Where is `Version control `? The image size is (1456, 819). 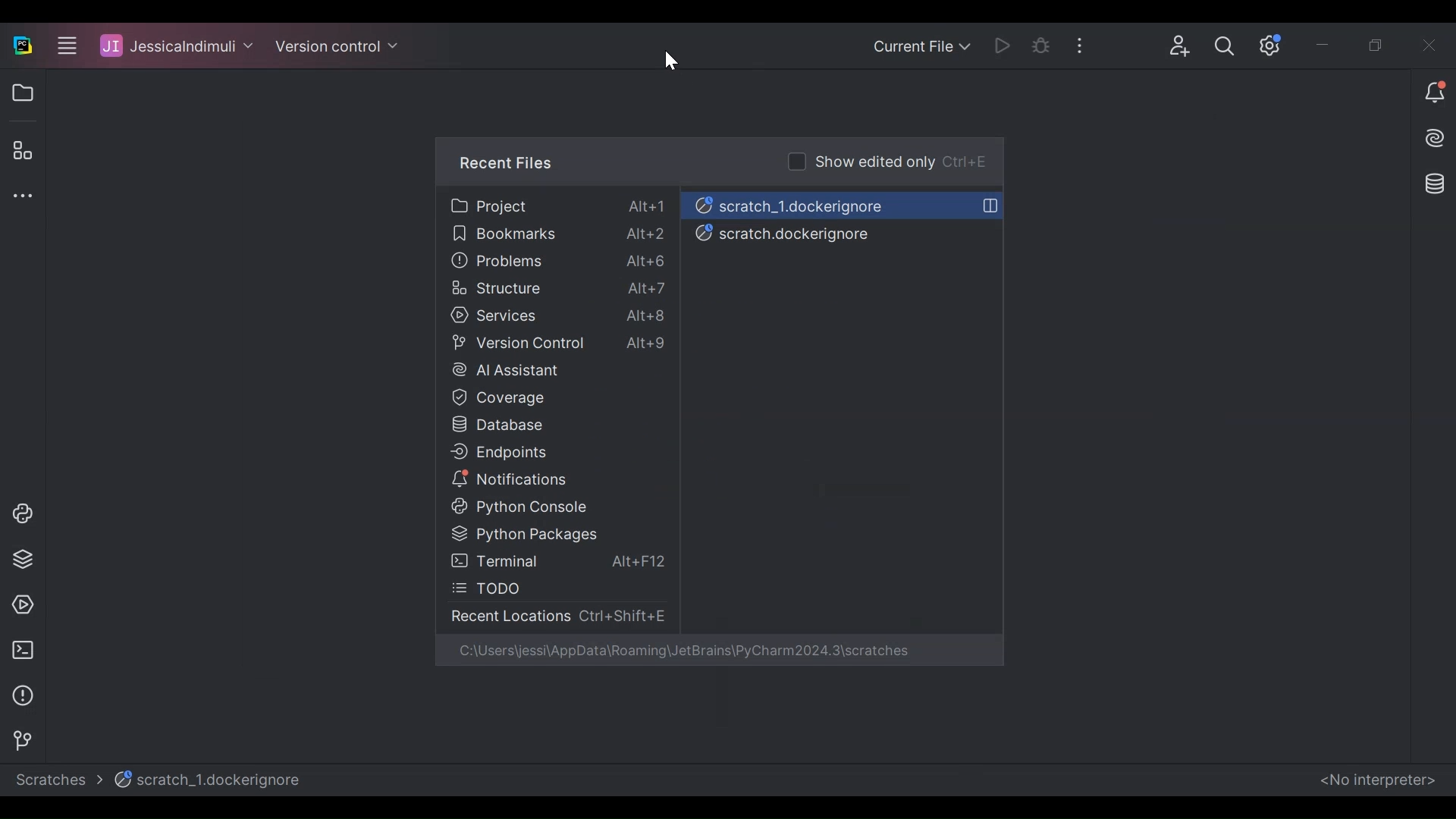
Version control  is located at coordinates (337, 48).